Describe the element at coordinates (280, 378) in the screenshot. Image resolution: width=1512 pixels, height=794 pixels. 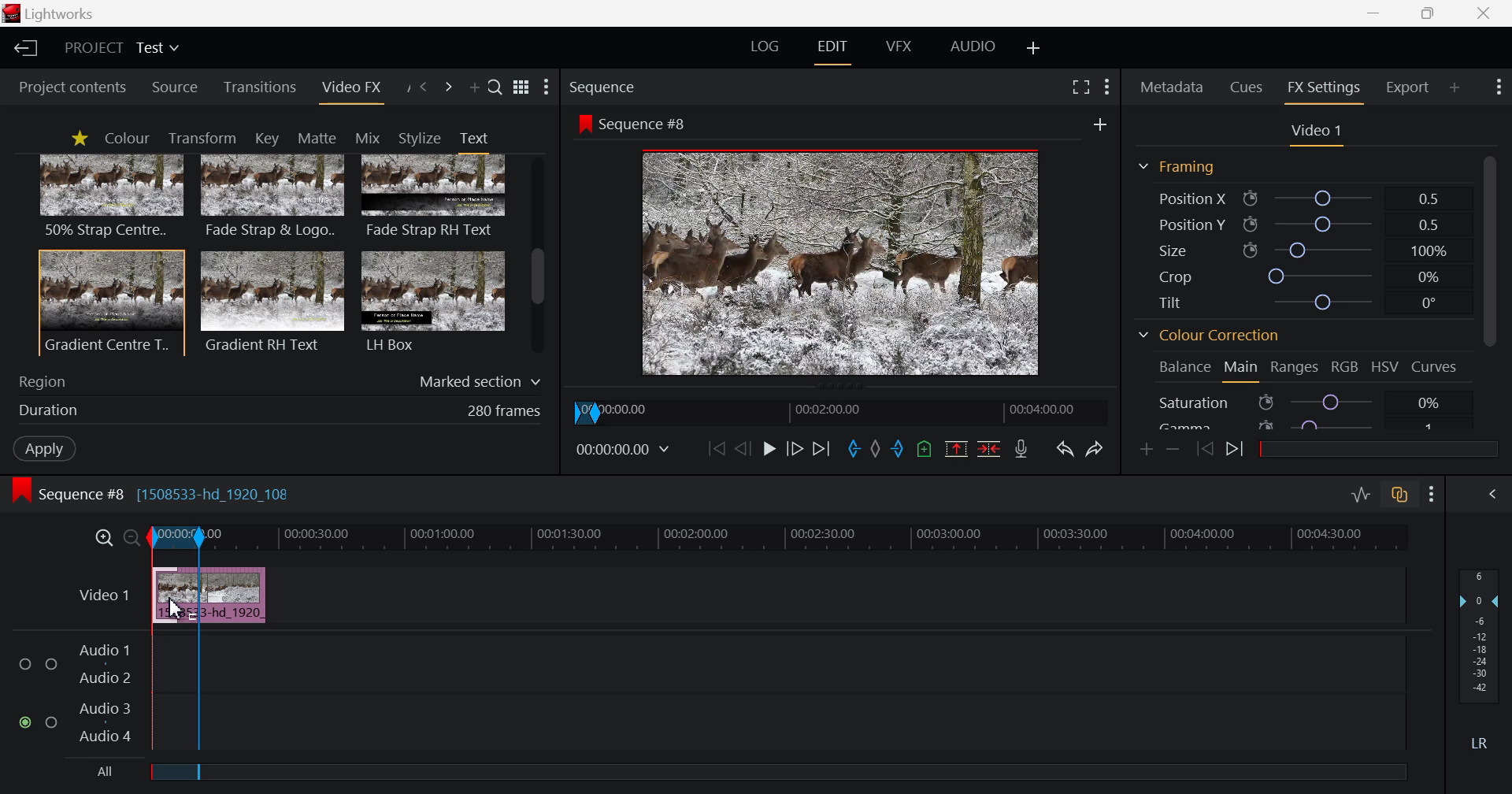
I see `Region` at that location.